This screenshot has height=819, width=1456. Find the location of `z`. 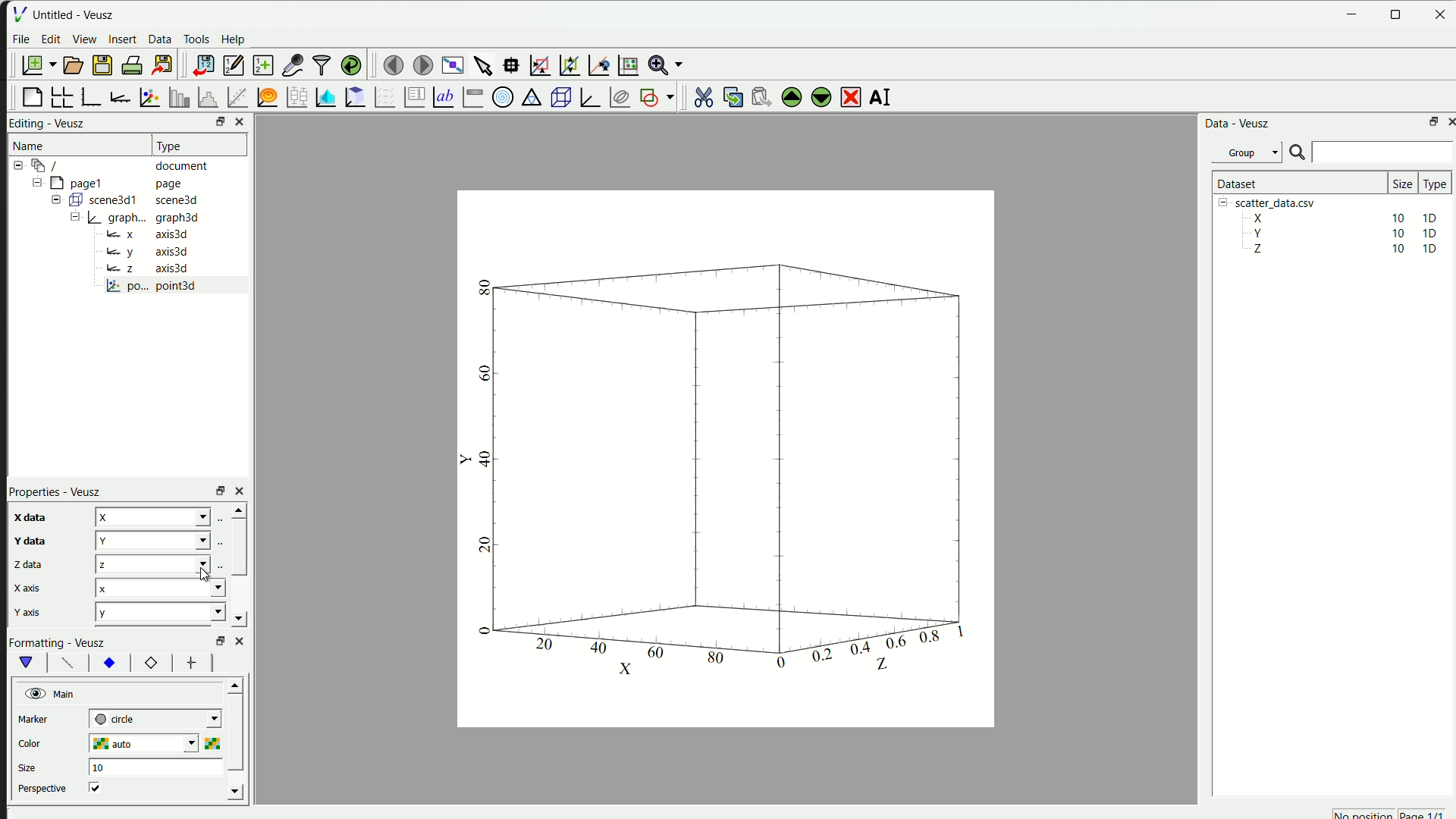

z is located at coordinates (168, 565).